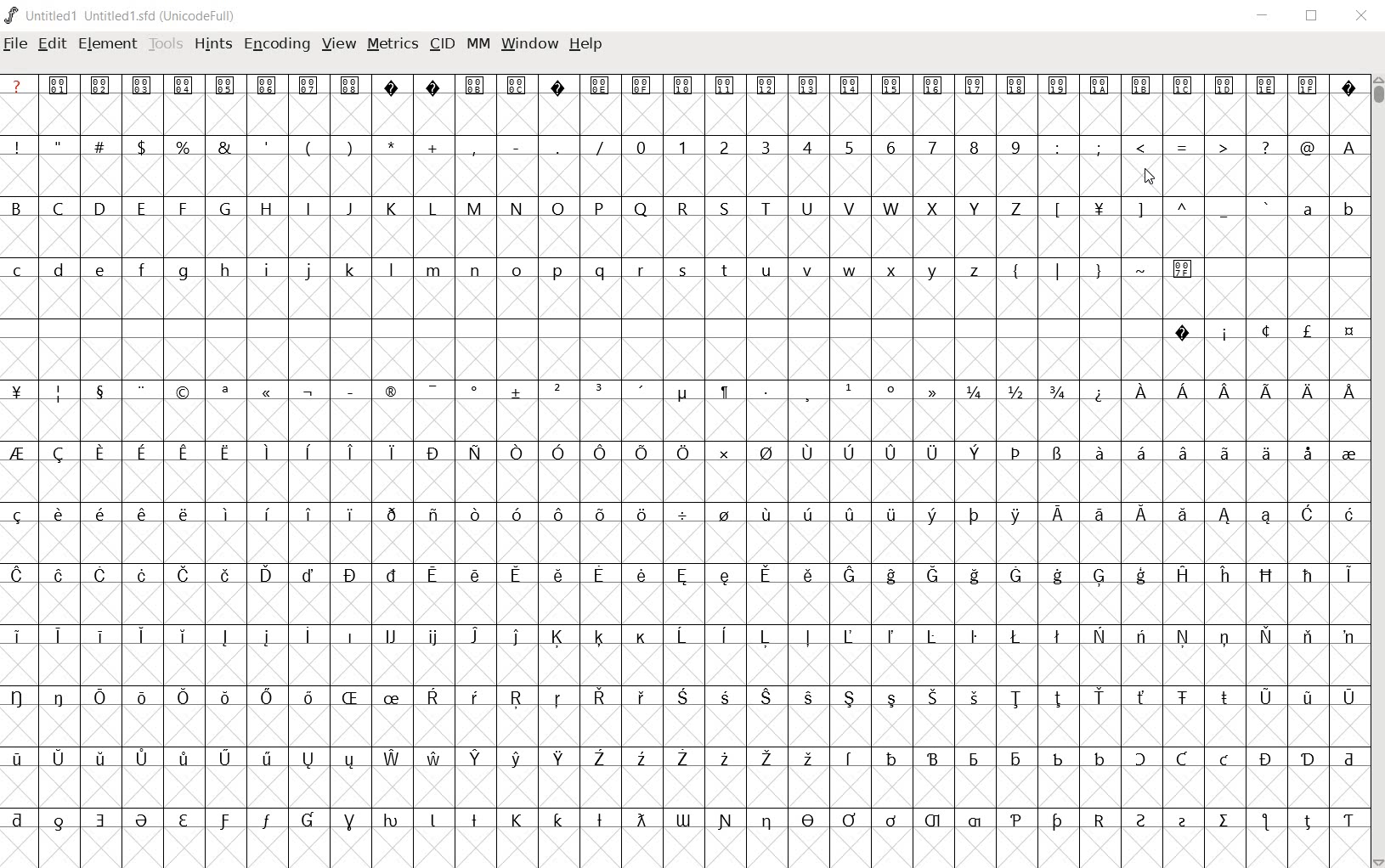 This screenshot has width=1385, height=868. Describe the element at coordinates (339, 44) in the screenshot. I see `view` at that location.